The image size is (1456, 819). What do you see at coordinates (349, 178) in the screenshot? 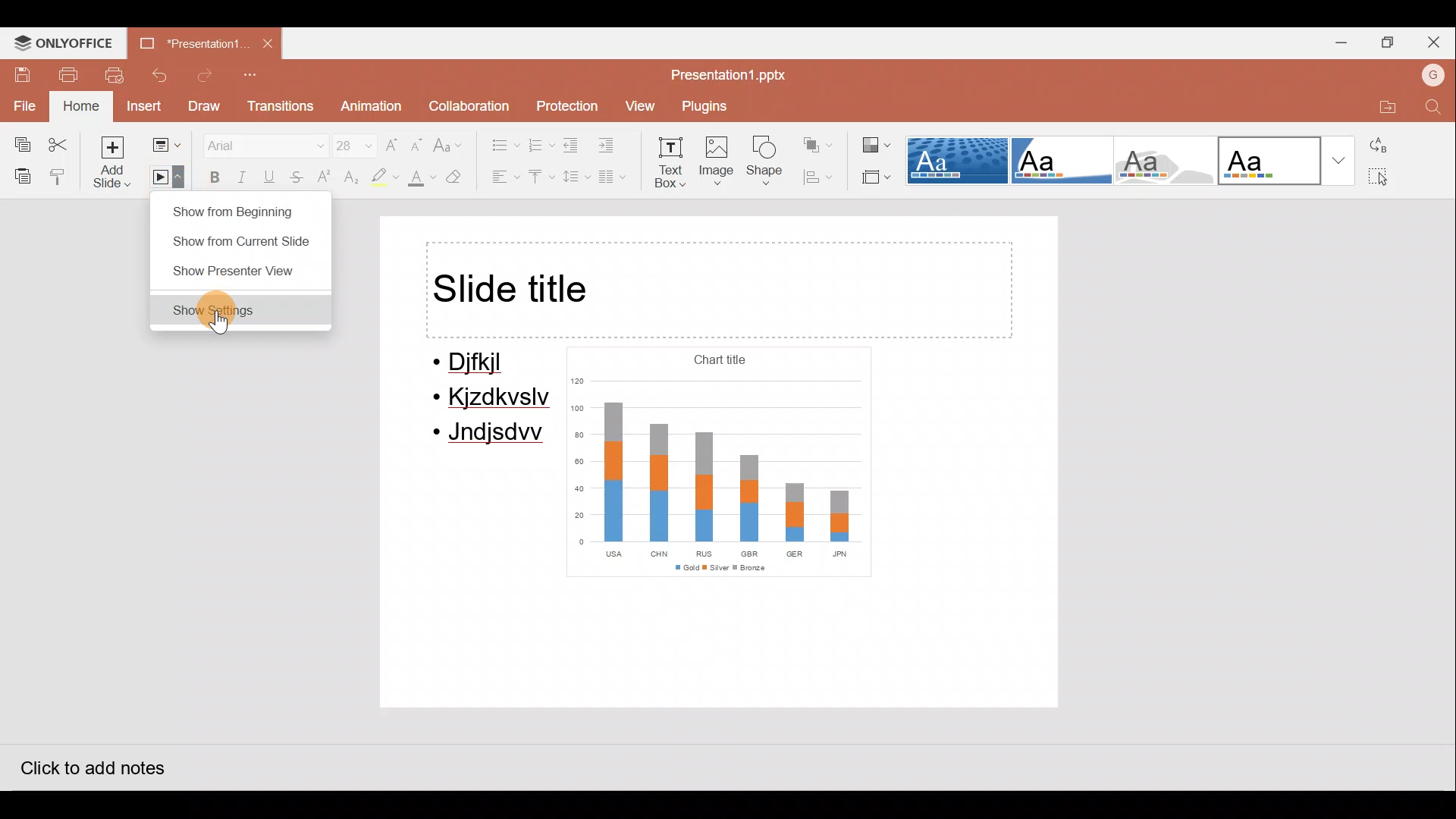
I see `Subscript` at bounding box center [349, 178].